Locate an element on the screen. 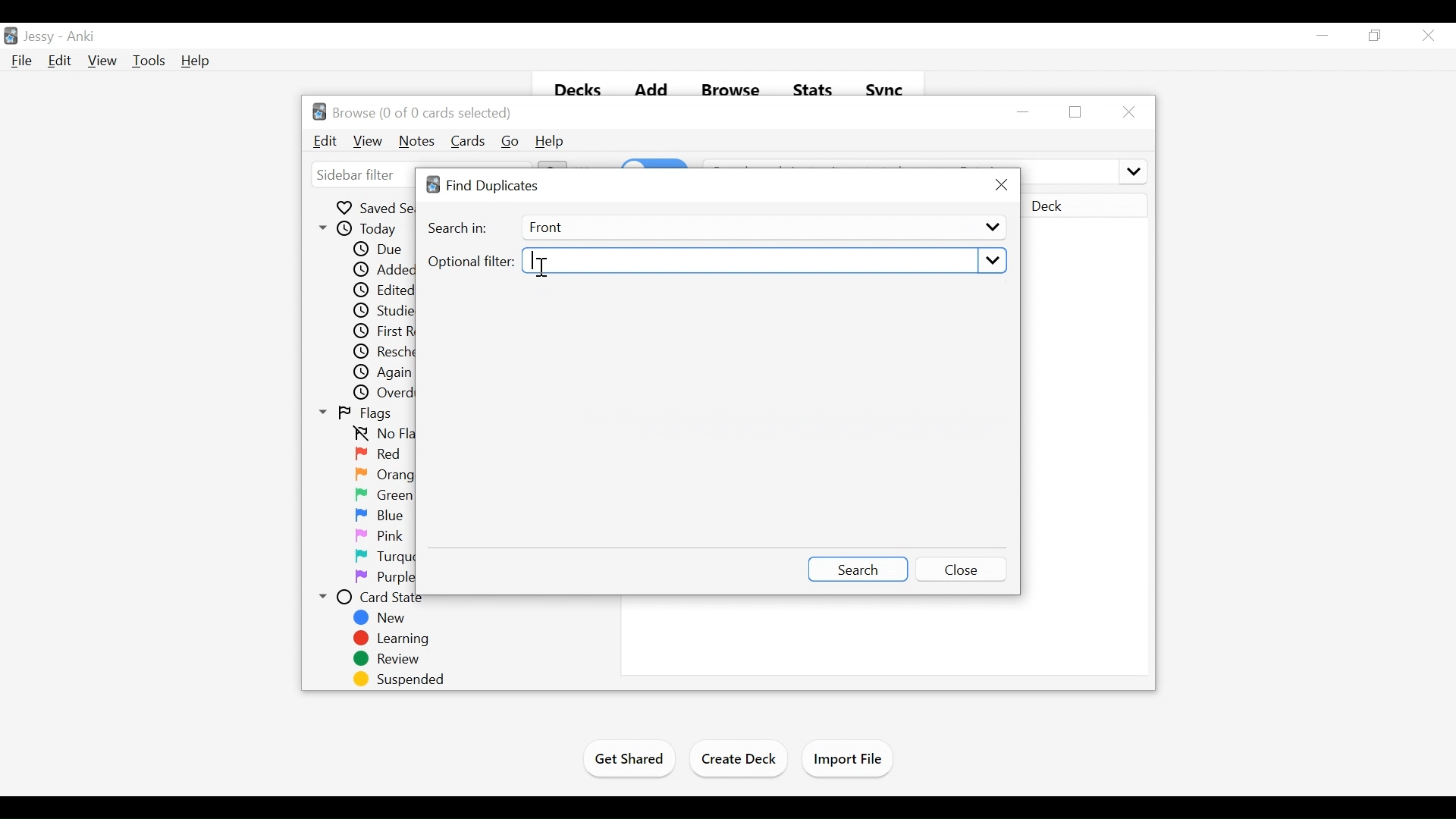  more options is located at coordinates (1131, 170).